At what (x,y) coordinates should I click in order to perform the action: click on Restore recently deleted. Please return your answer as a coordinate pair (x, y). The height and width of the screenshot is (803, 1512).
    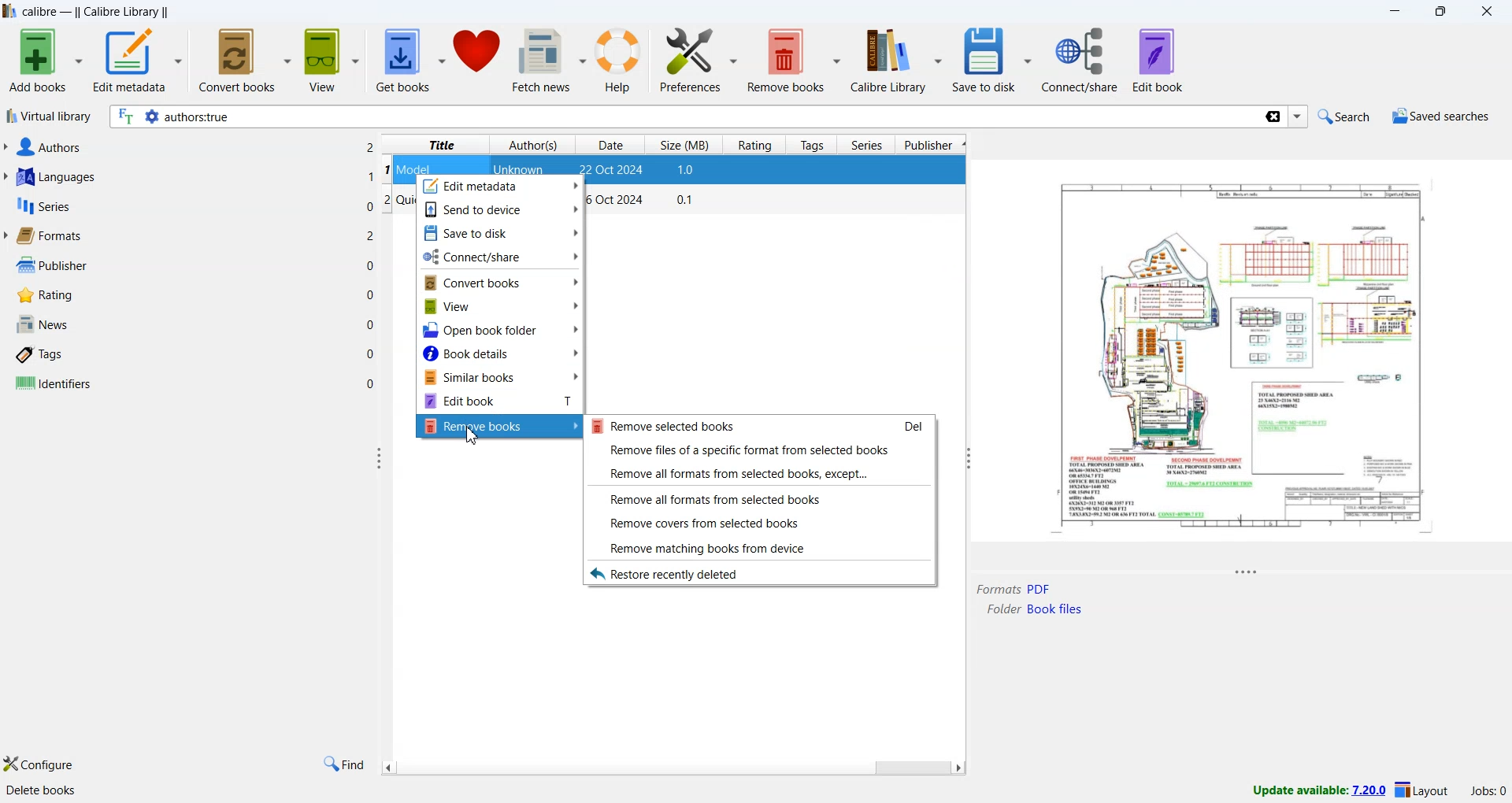
    Looking at the image, I should click on (758, 573).